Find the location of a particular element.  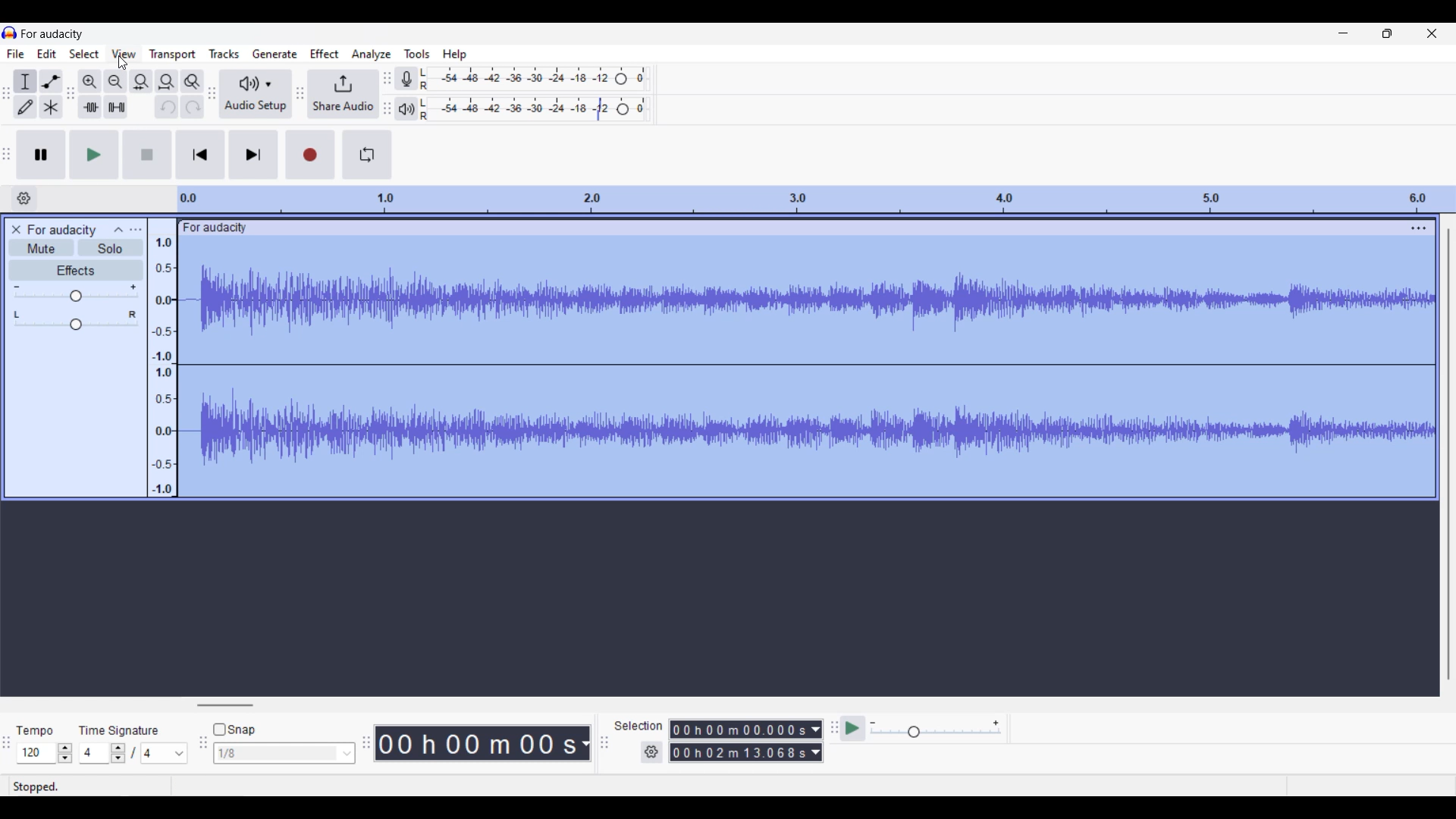

Skip/Select to start is located at coordinates (200, 155).